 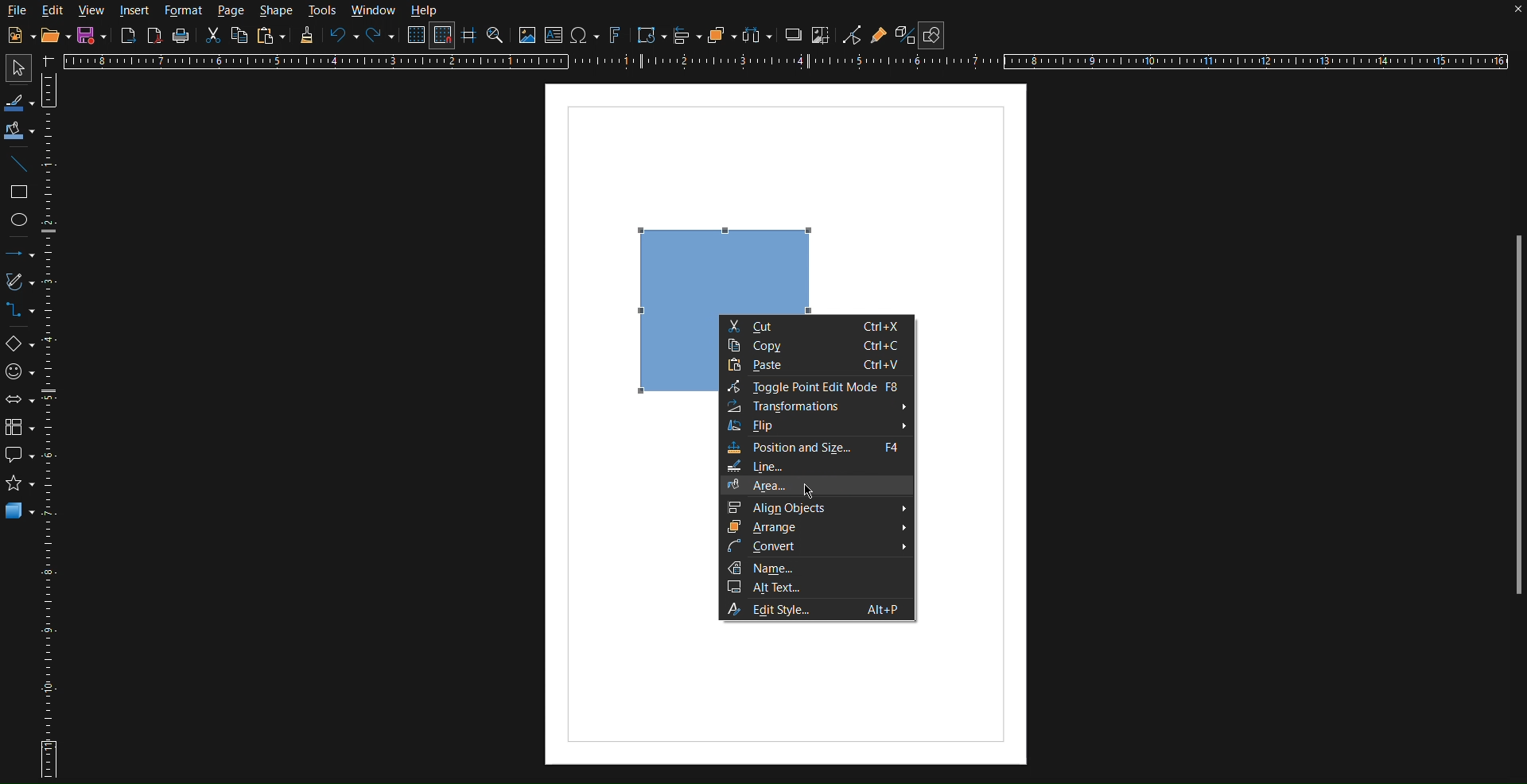 What do you see at coordinates (588, 35) in the screenshot?
I see `Insert Special Character` at bounding box center [588, 35].